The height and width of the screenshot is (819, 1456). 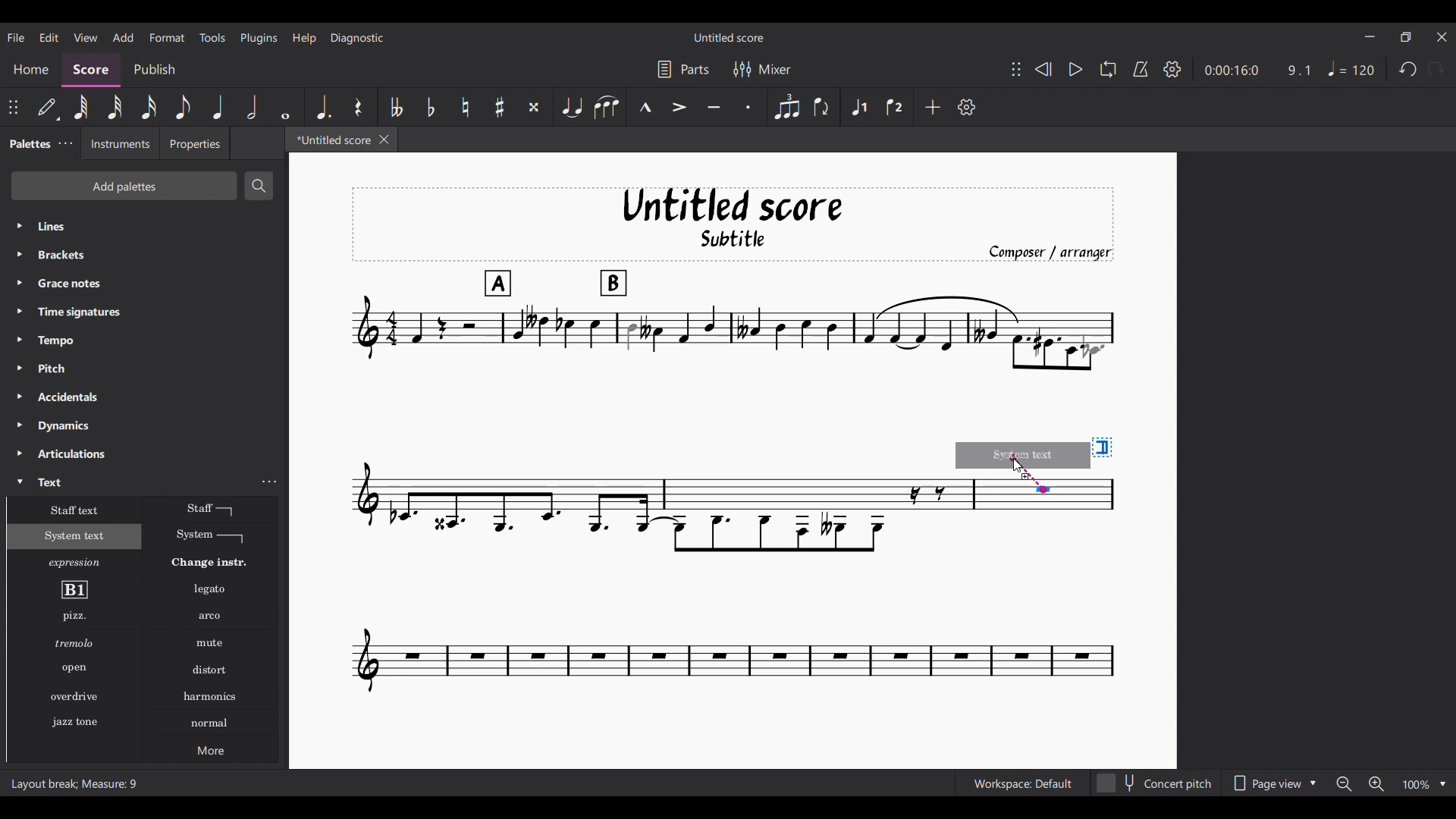 What do you see at coordinates (651, 441) in the screenshot?
I see `Current score` at bounding box center [651, 441].